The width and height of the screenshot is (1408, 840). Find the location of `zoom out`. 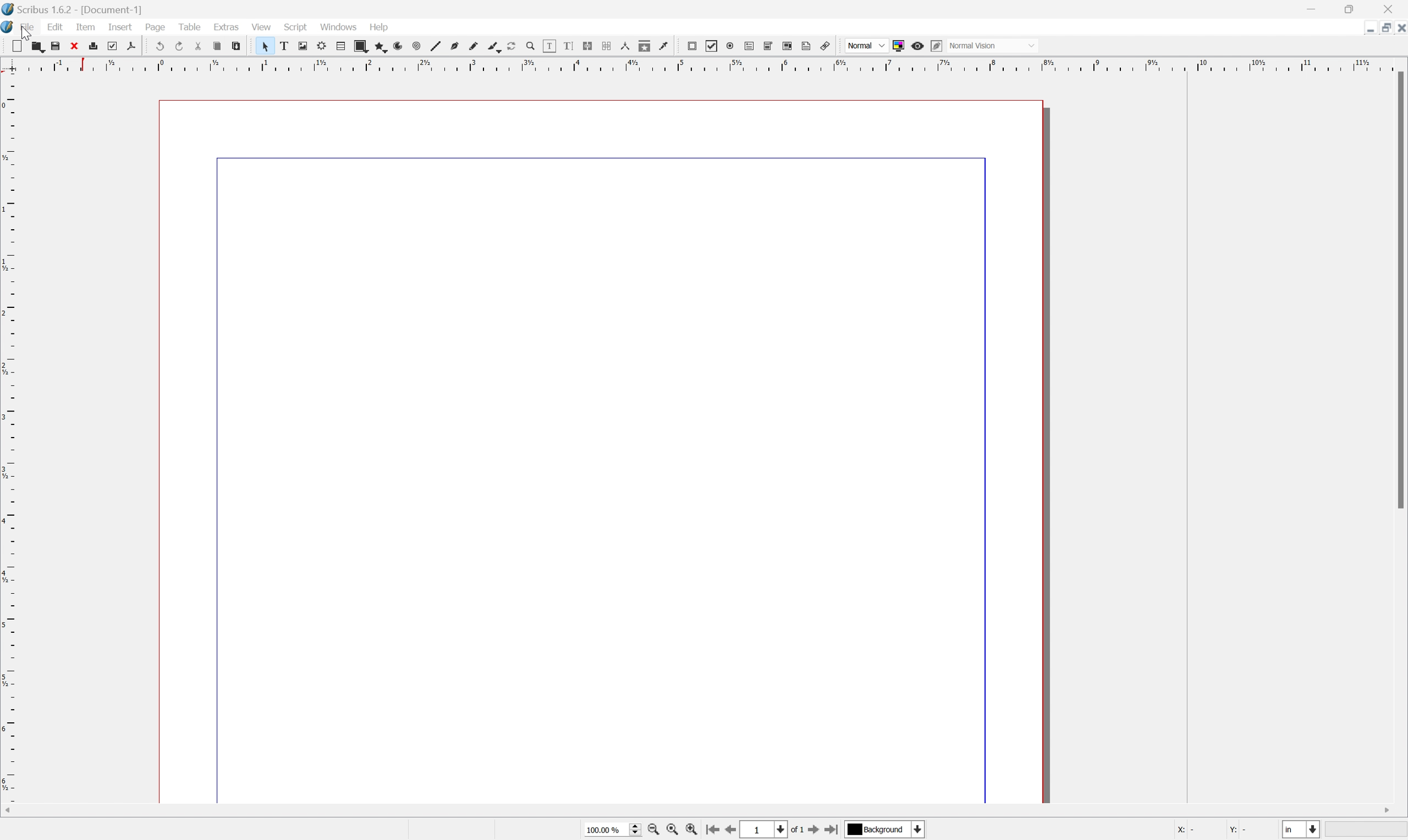

zoom out is located at coordinates (654, 830).